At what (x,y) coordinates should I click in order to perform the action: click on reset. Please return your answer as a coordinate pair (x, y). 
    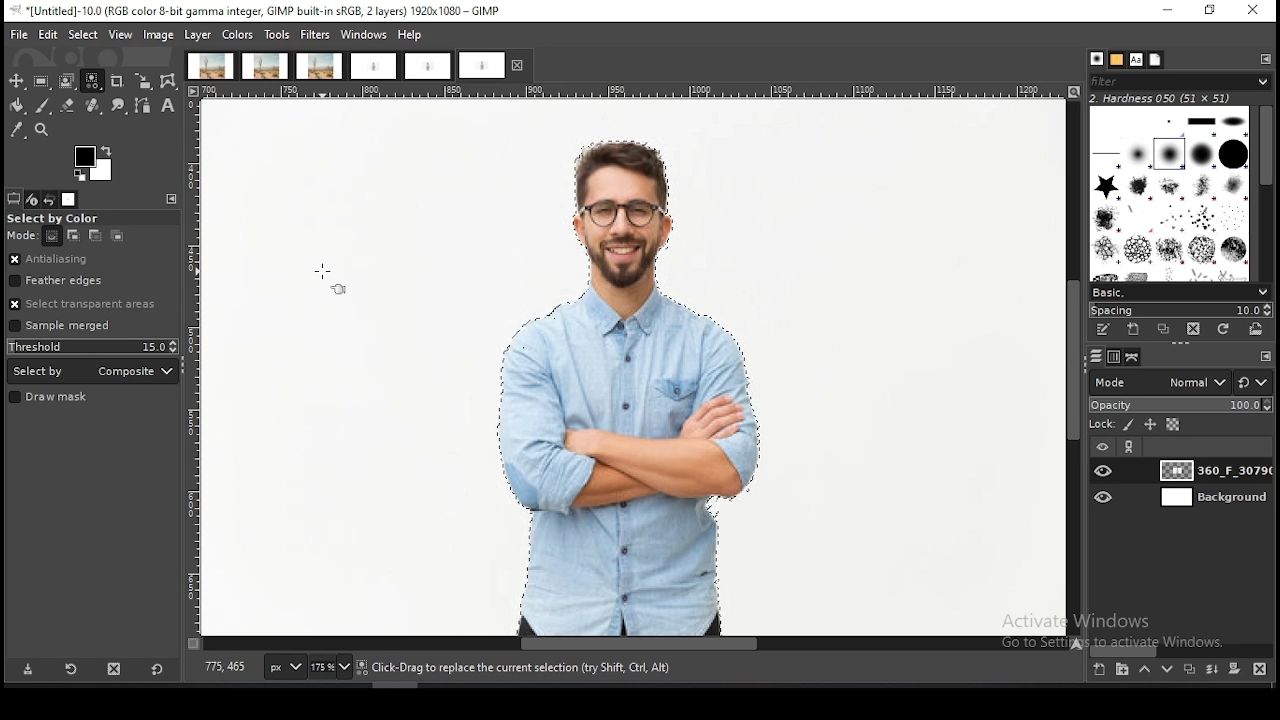
    Looking at the image, I should click on (157, 667).